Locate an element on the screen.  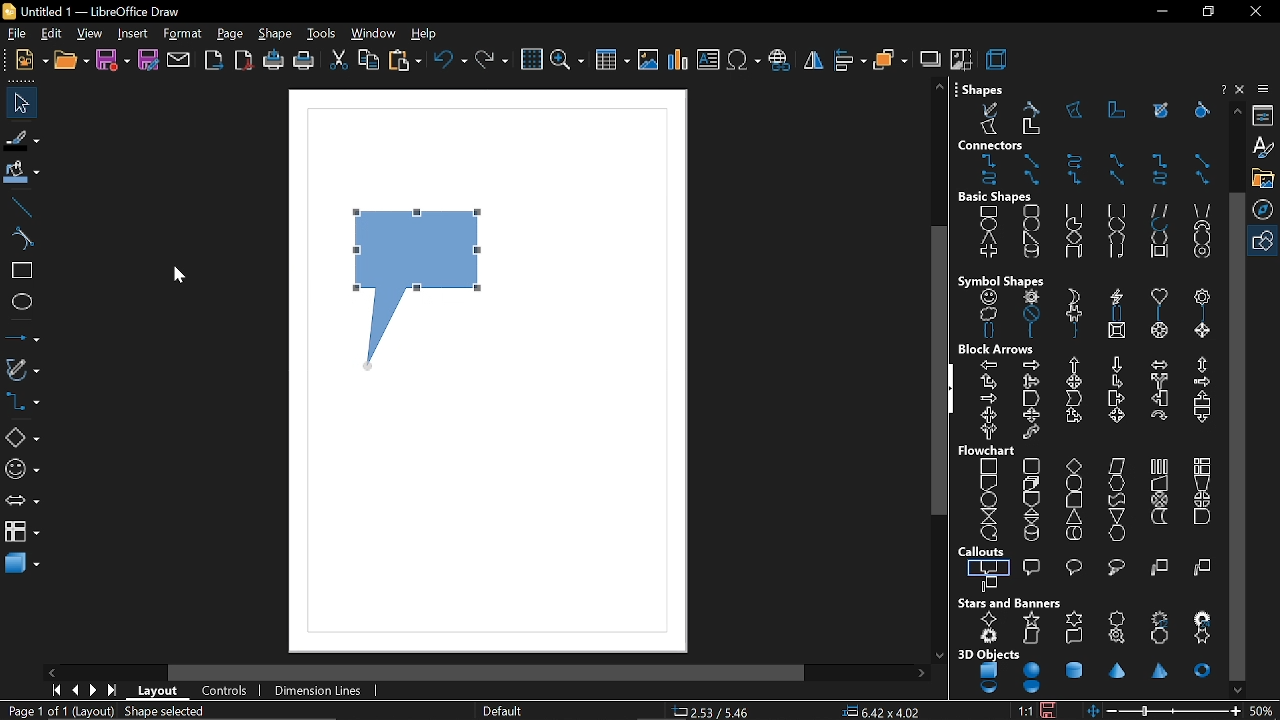
insert is located at coordinates (134, 34).